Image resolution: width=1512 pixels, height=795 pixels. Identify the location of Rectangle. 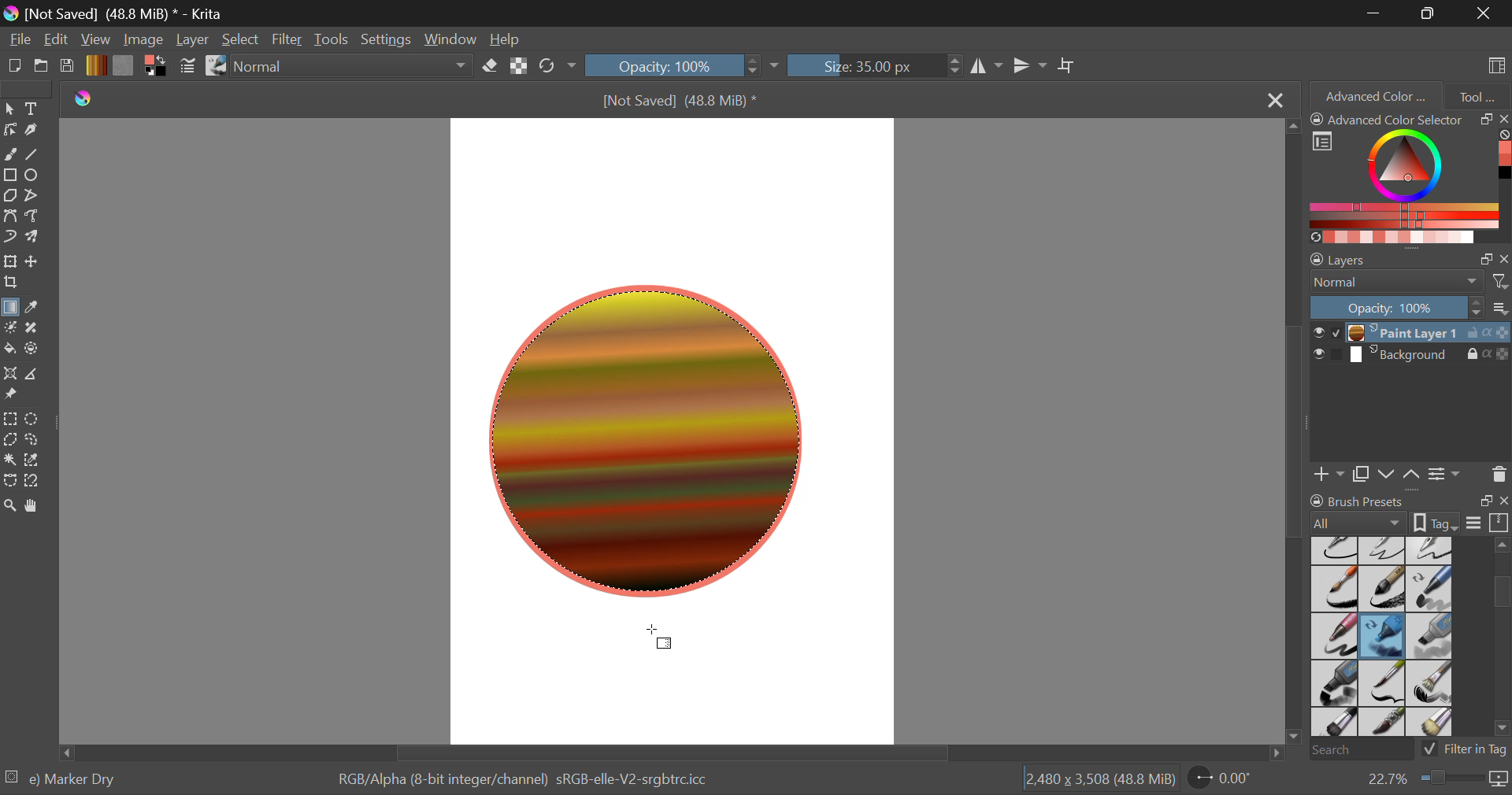
(9, 176).